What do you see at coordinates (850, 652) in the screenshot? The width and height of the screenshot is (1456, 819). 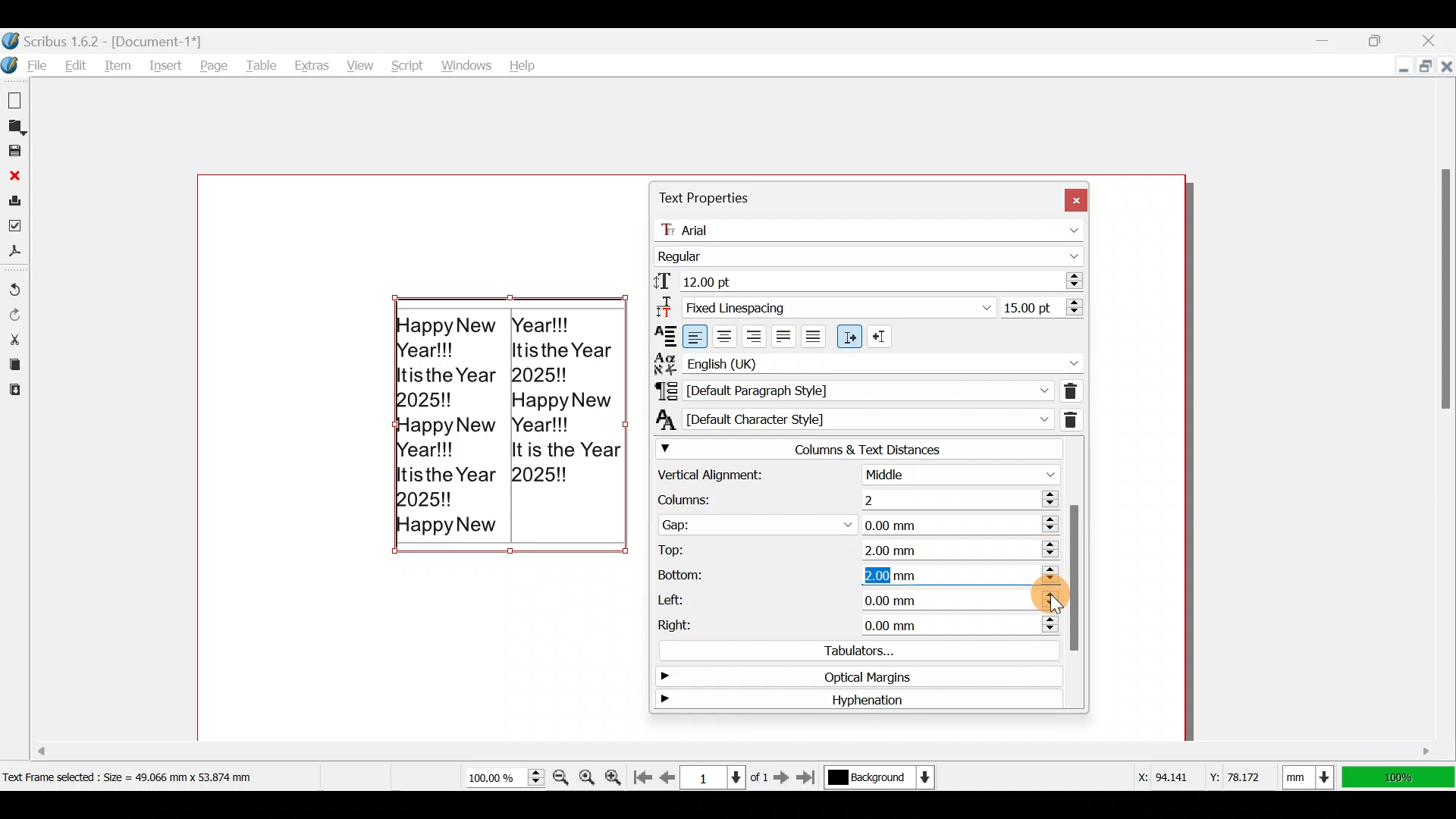 I see `Tabulators` at bounding box center [850, 652].